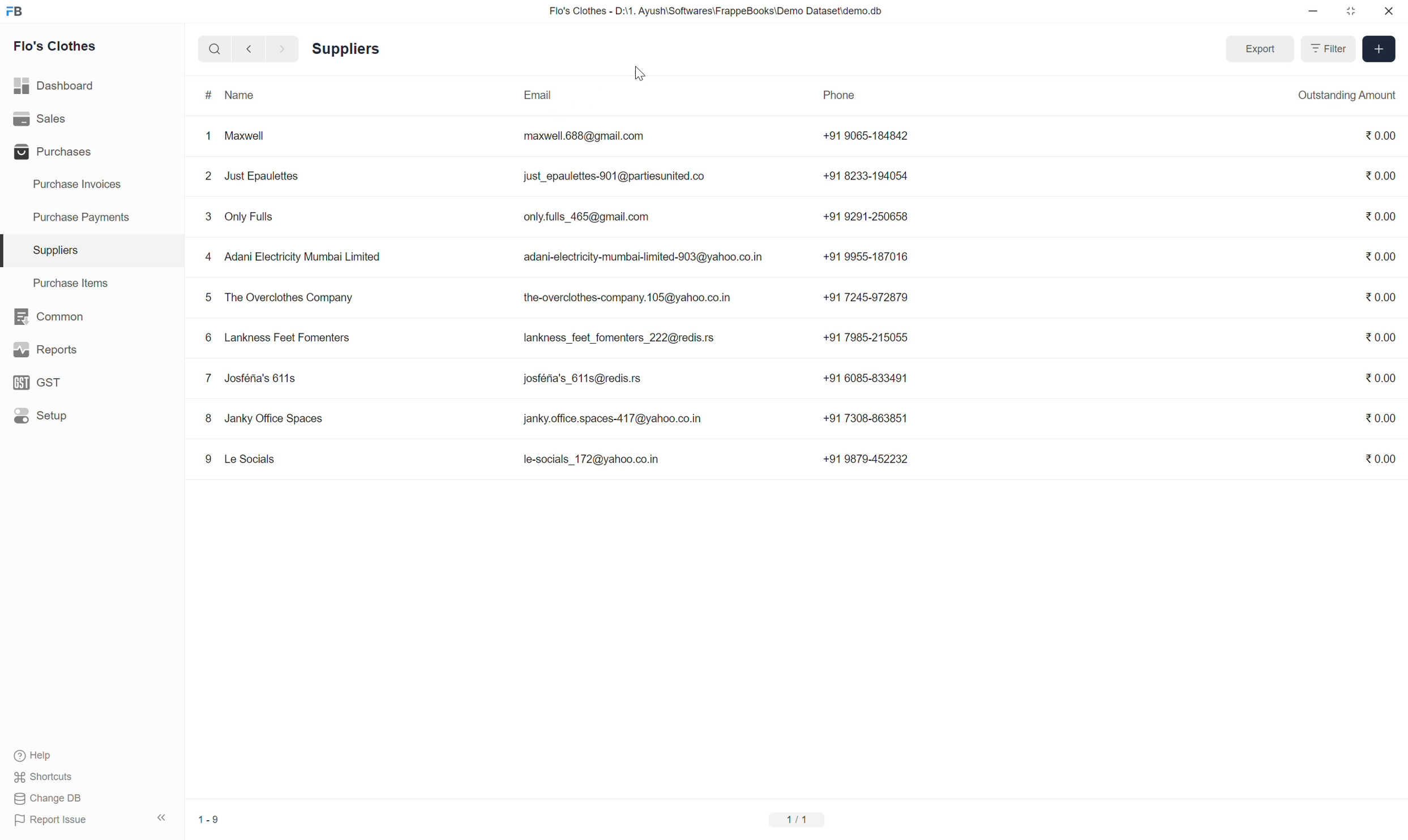 Image resolution: width=1408 pixels, height=840 pixels. I want to click on Purchase invoices, so click(75, 183).